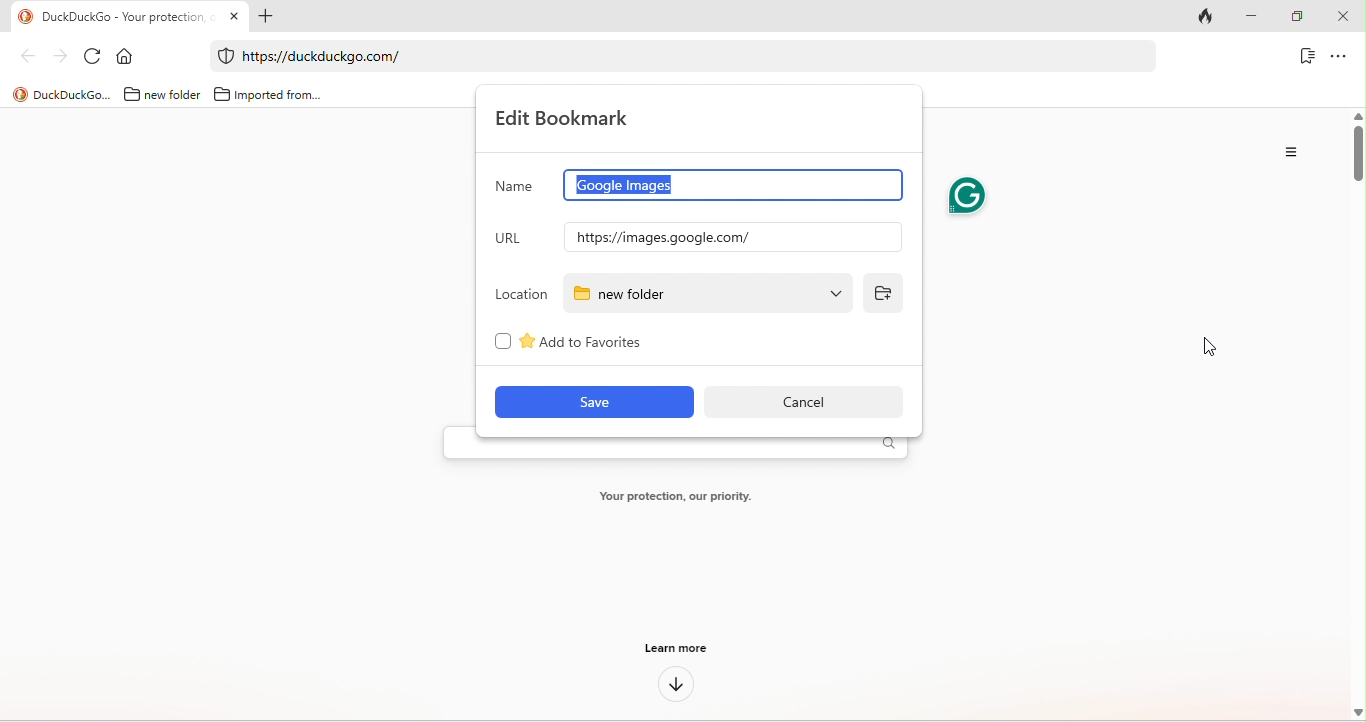  Describe the element at coordinates (56, 55) in the screenshot. I see `forward` at that location.